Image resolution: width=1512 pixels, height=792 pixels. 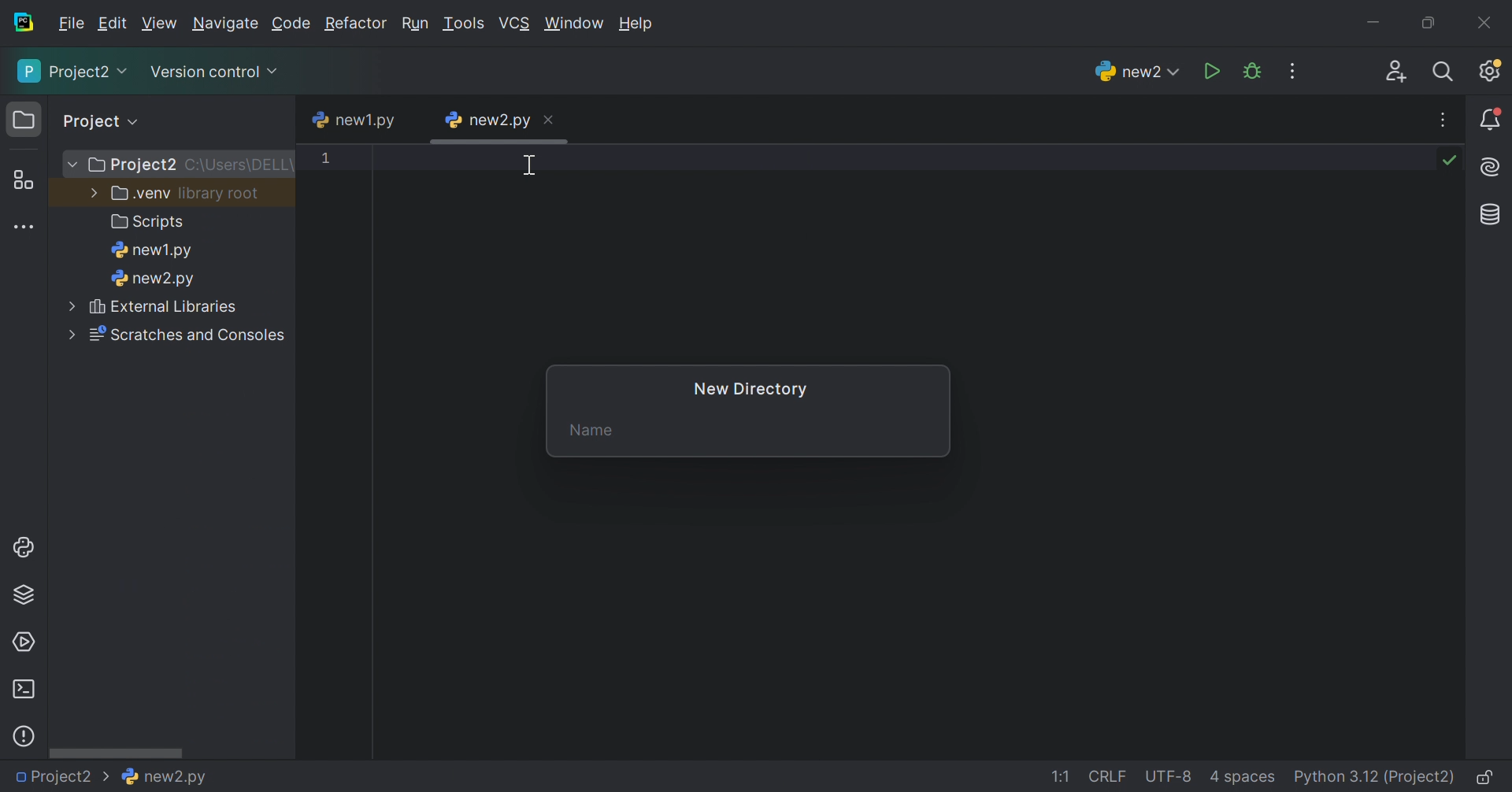 I want to click on Project2, so click(x=56, y=777).